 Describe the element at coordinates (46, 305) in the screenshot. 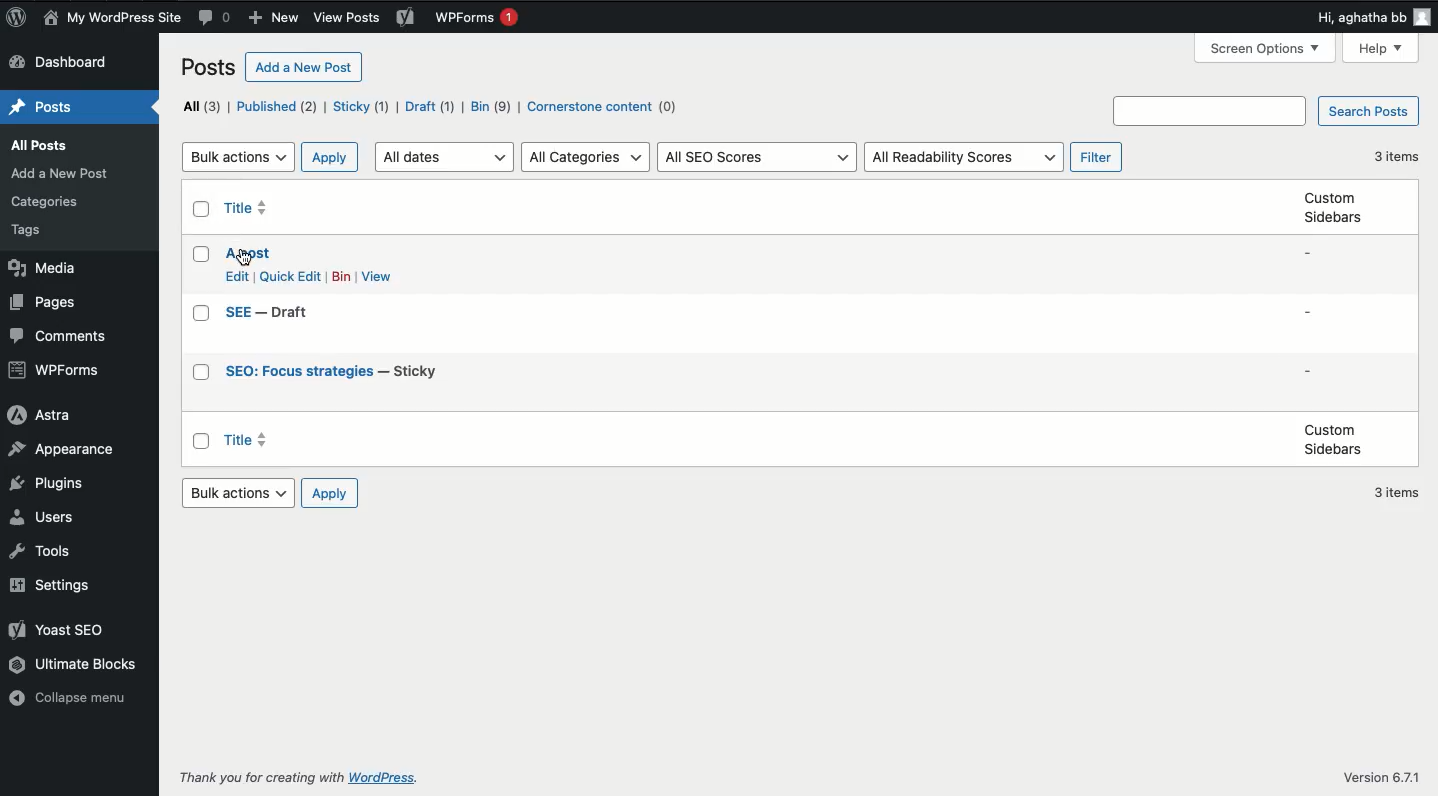

I see `Pages ` at that location.